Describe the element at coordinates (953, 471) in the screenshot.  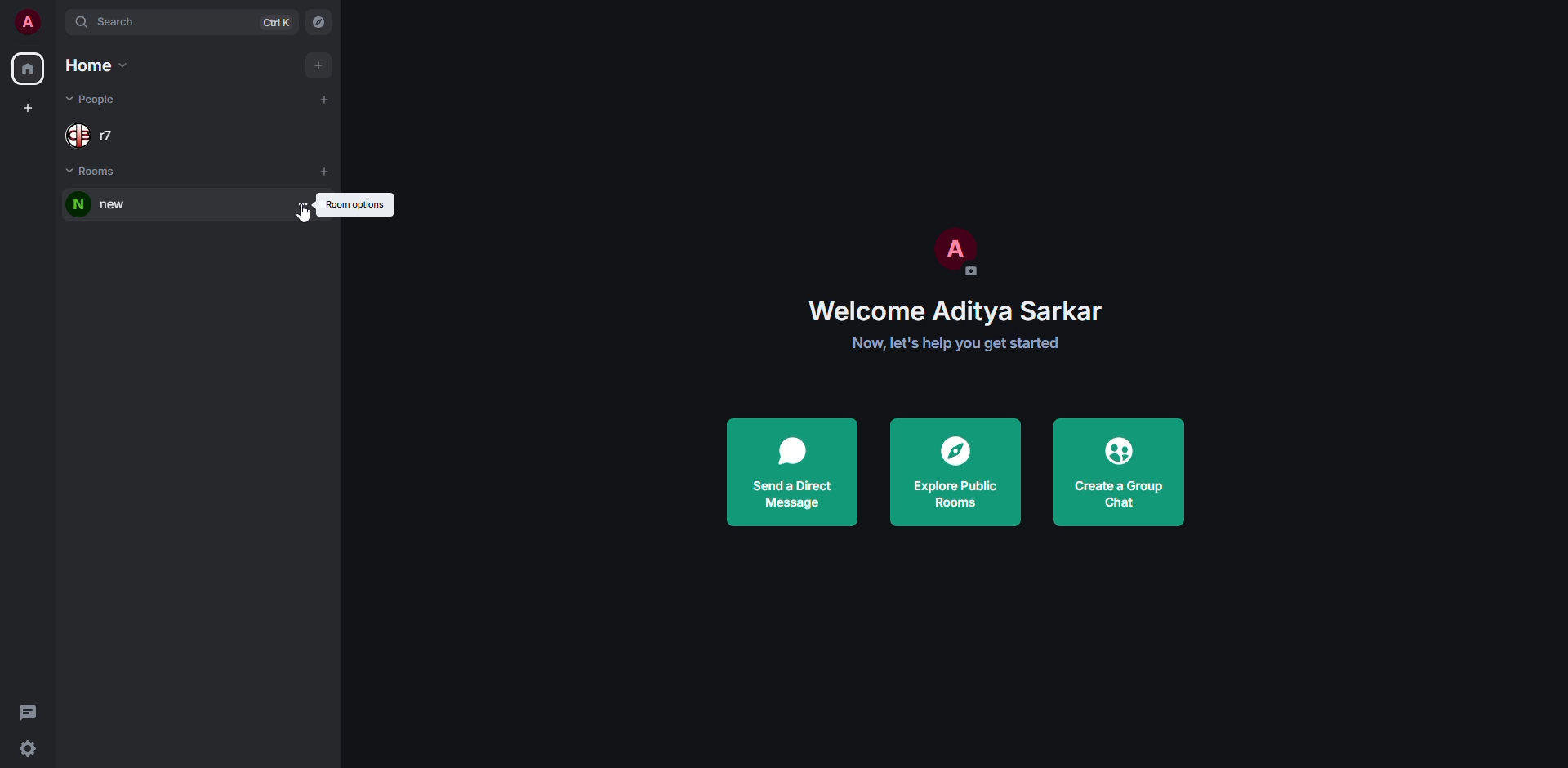
I see `explore public rooms` at that location.